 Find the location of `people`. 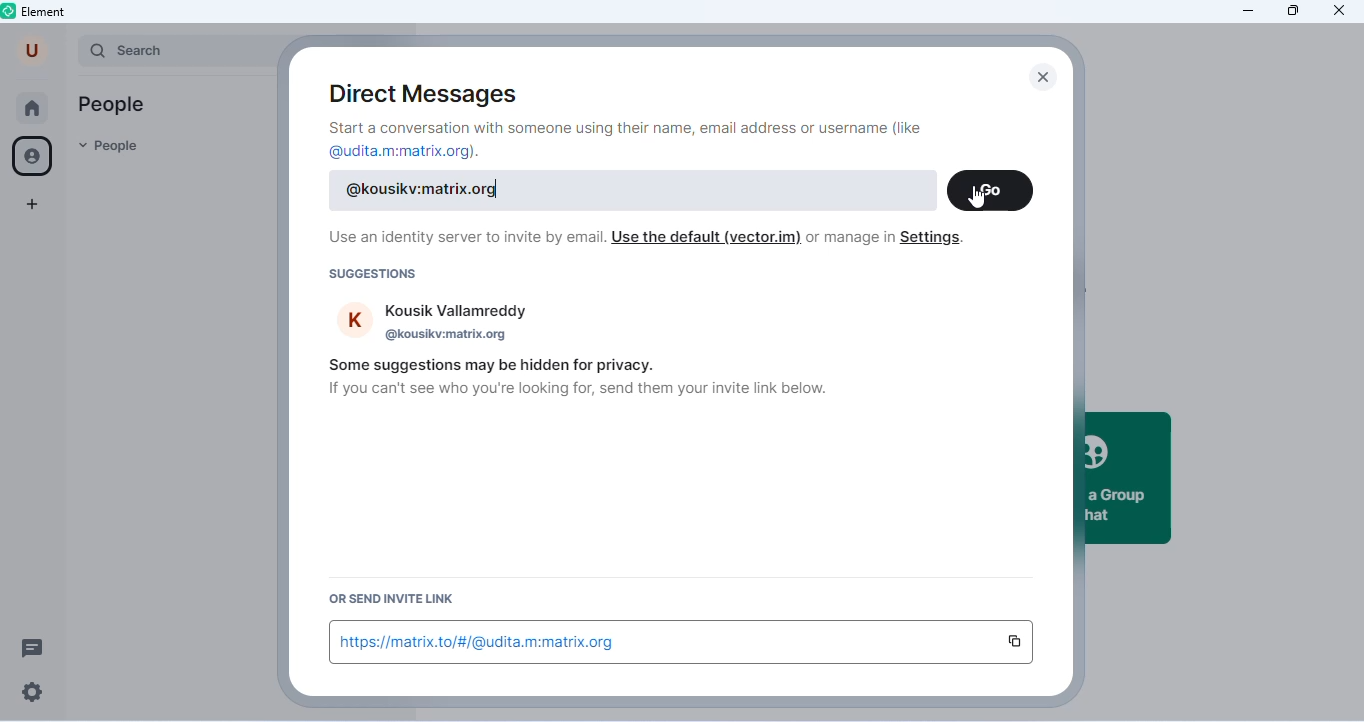

people is located at coordinates (114, 106).